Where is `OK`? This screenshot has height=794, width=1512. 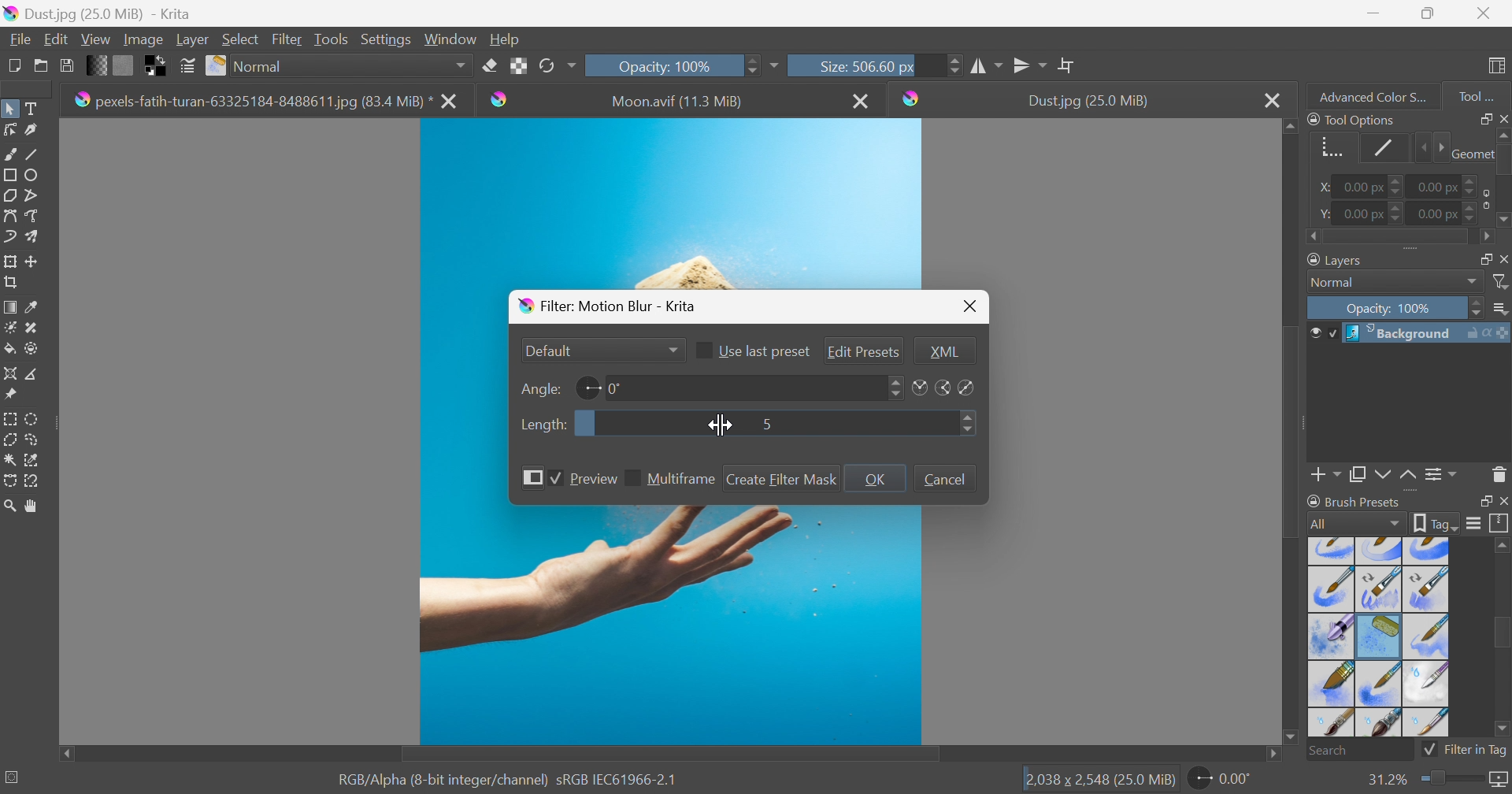 OK is located at coordinates (876, 479).